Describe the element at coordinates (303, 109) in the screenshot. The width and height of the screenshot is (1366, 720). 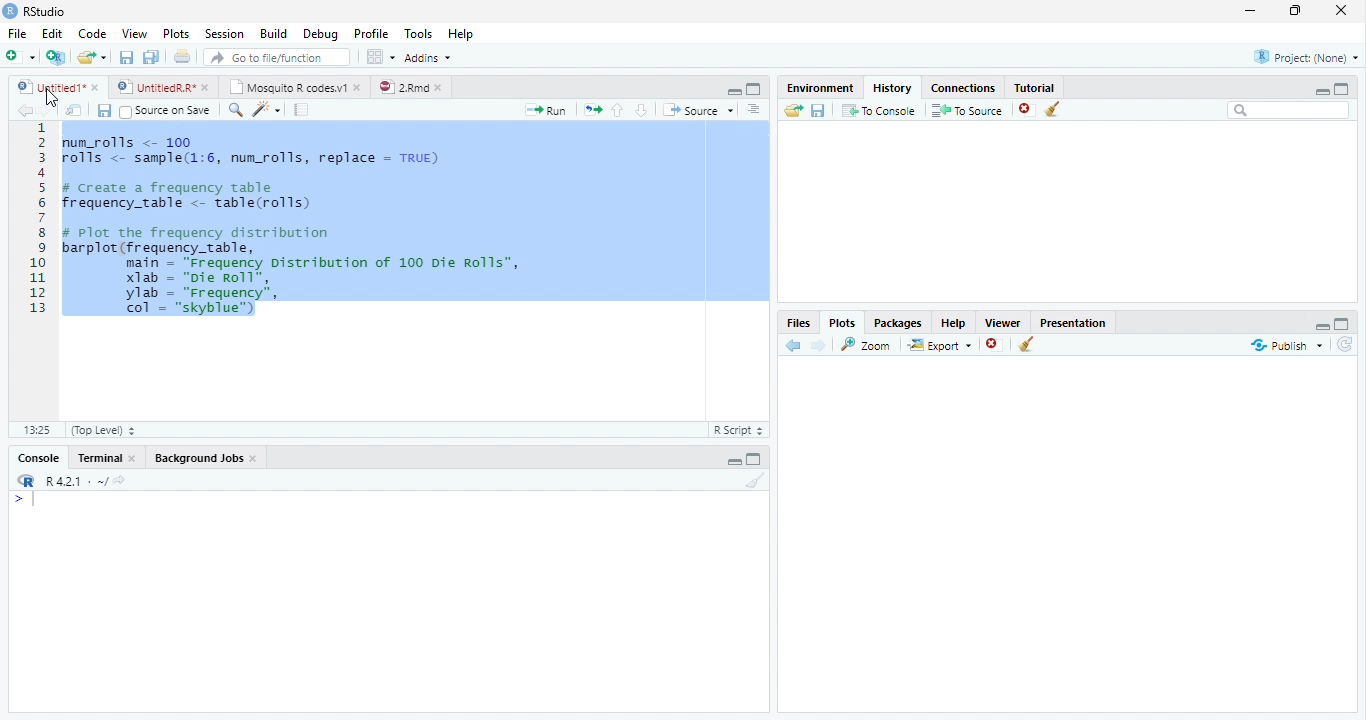
I see `Compile Report` at that location.